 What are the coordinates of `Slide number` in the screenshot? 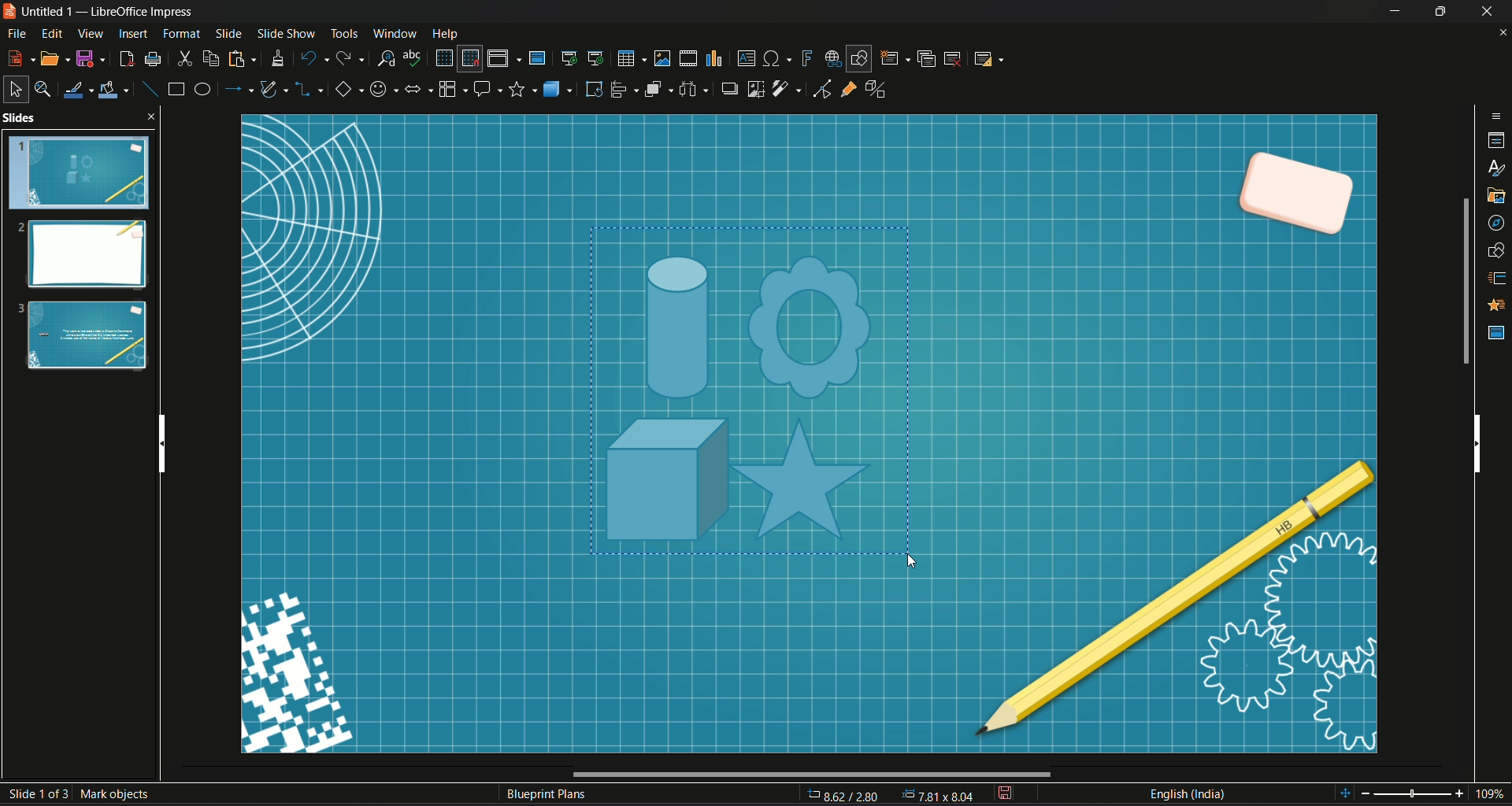 It's located at (83, 791).